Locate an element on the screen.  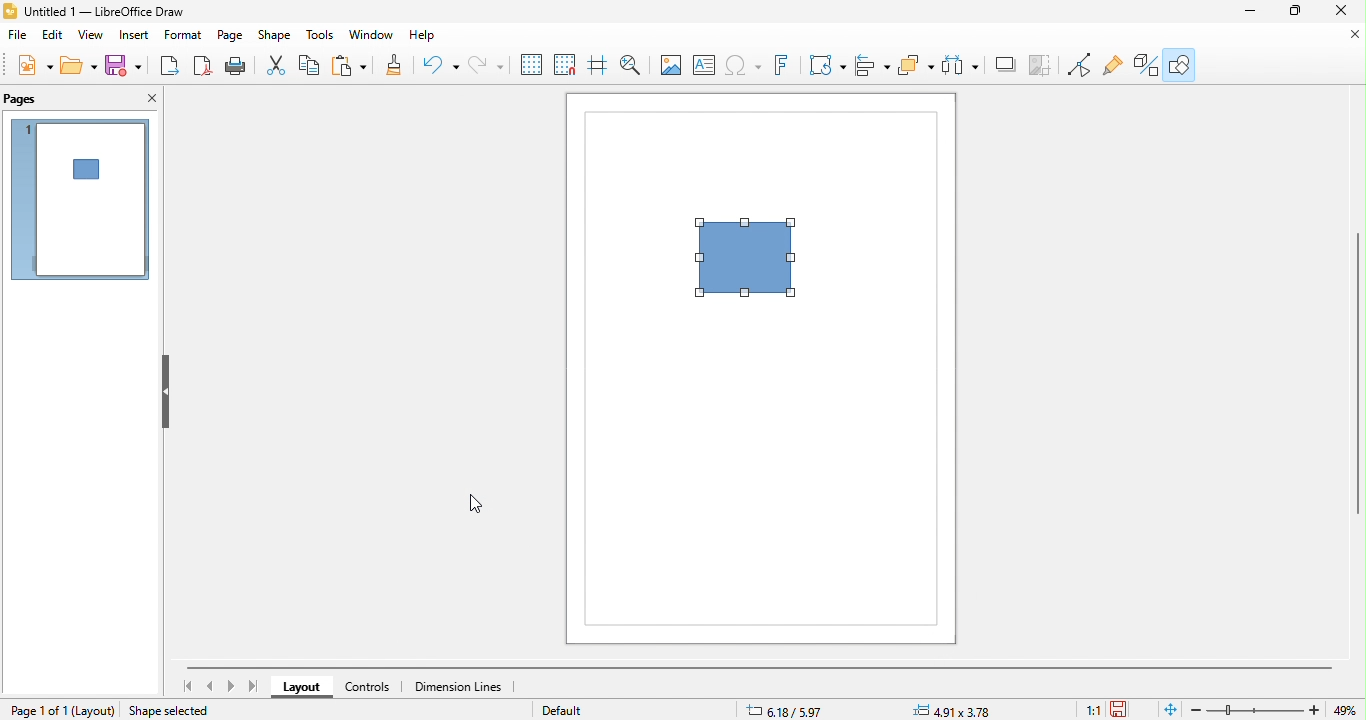
select at least three object to distribute is located at coordinates (917, 65).